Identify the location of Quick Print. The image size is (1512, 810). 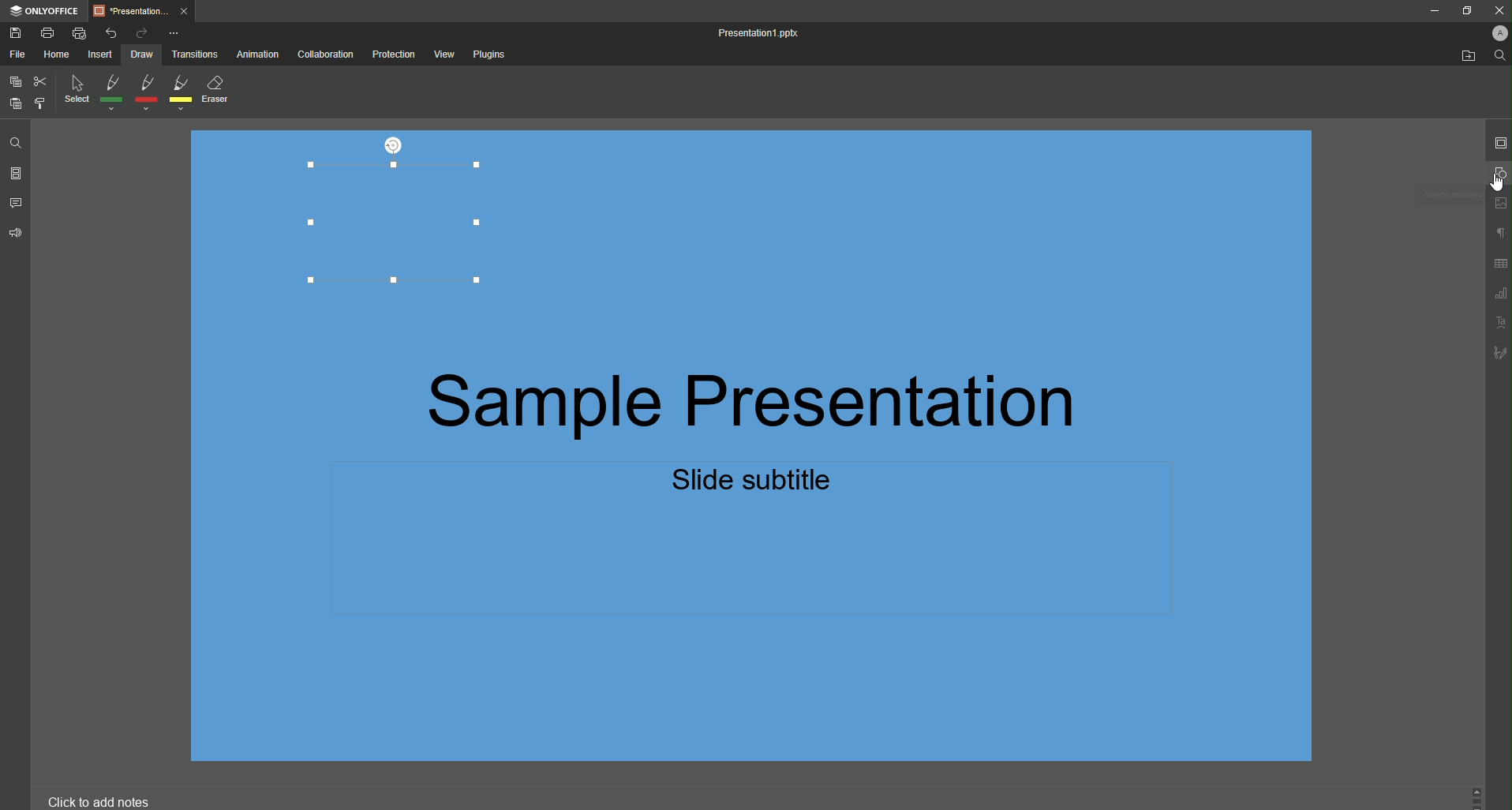
(80, 32).